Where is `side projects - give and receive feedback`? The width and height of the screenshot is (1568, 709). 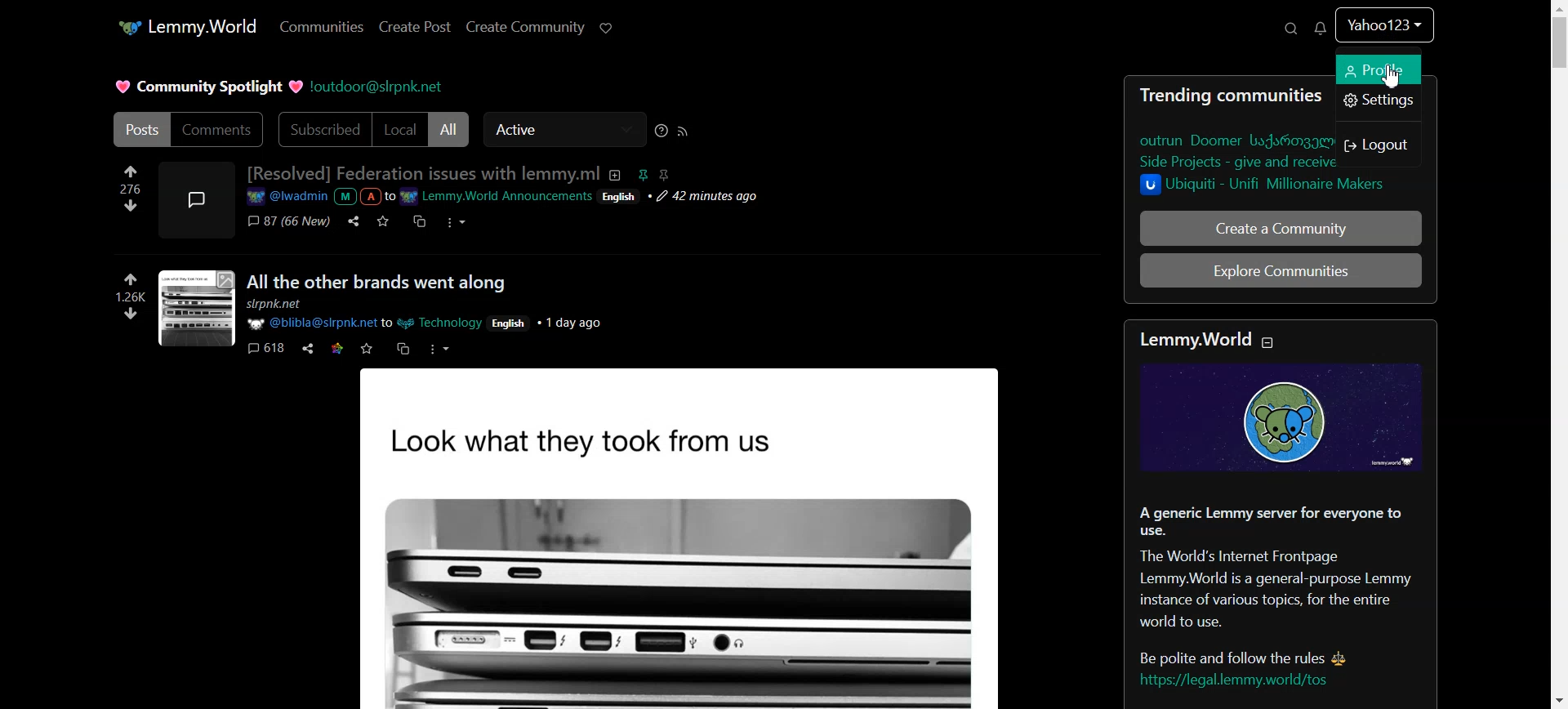 side projects - give and receive feedback is located at coordinates (1237, 163).